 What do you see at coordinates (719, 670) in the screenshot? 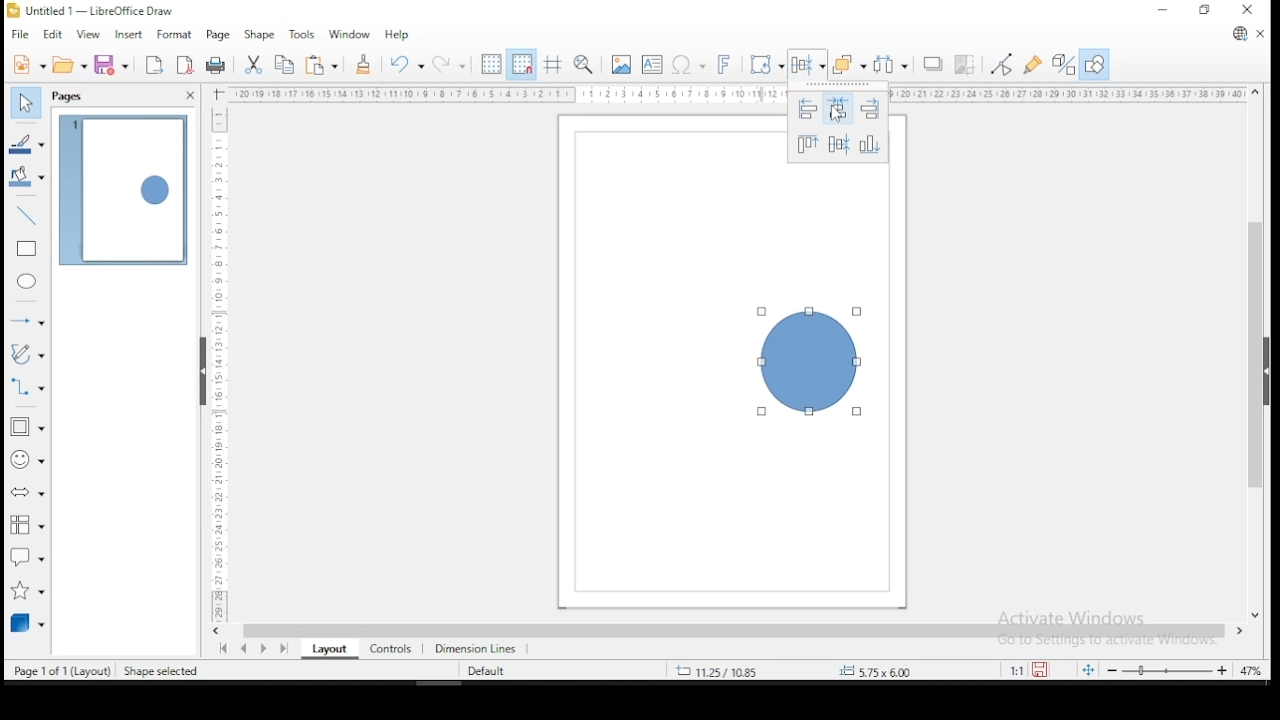
I see `11.25/4.75` at bounding box center [719, 670].